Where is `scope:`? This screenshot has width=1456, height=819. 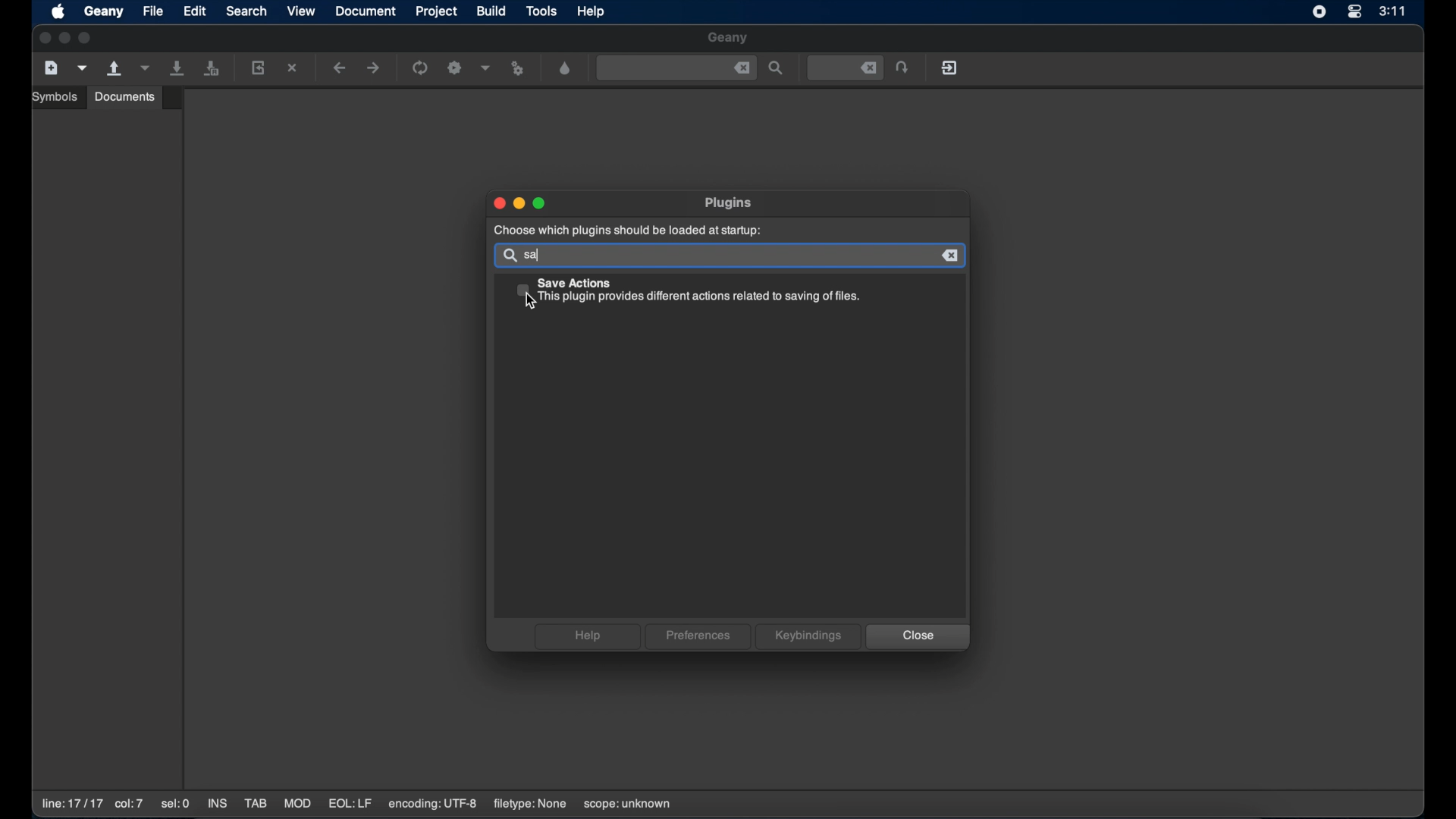
scope: is located at coordinates (627, 805).